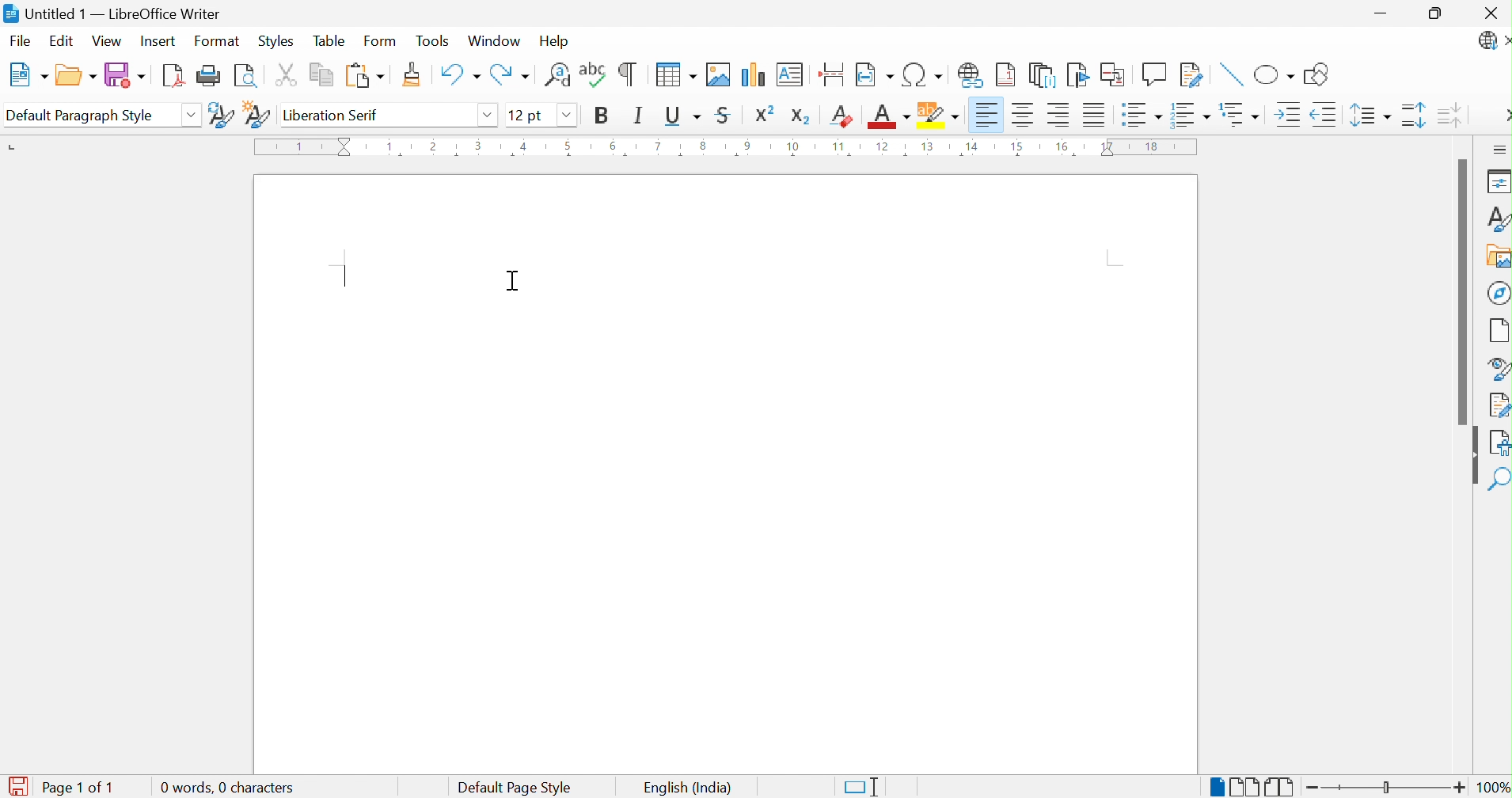 The image size is (1512, 798). I want to click on Styles, so click(1492, 217).